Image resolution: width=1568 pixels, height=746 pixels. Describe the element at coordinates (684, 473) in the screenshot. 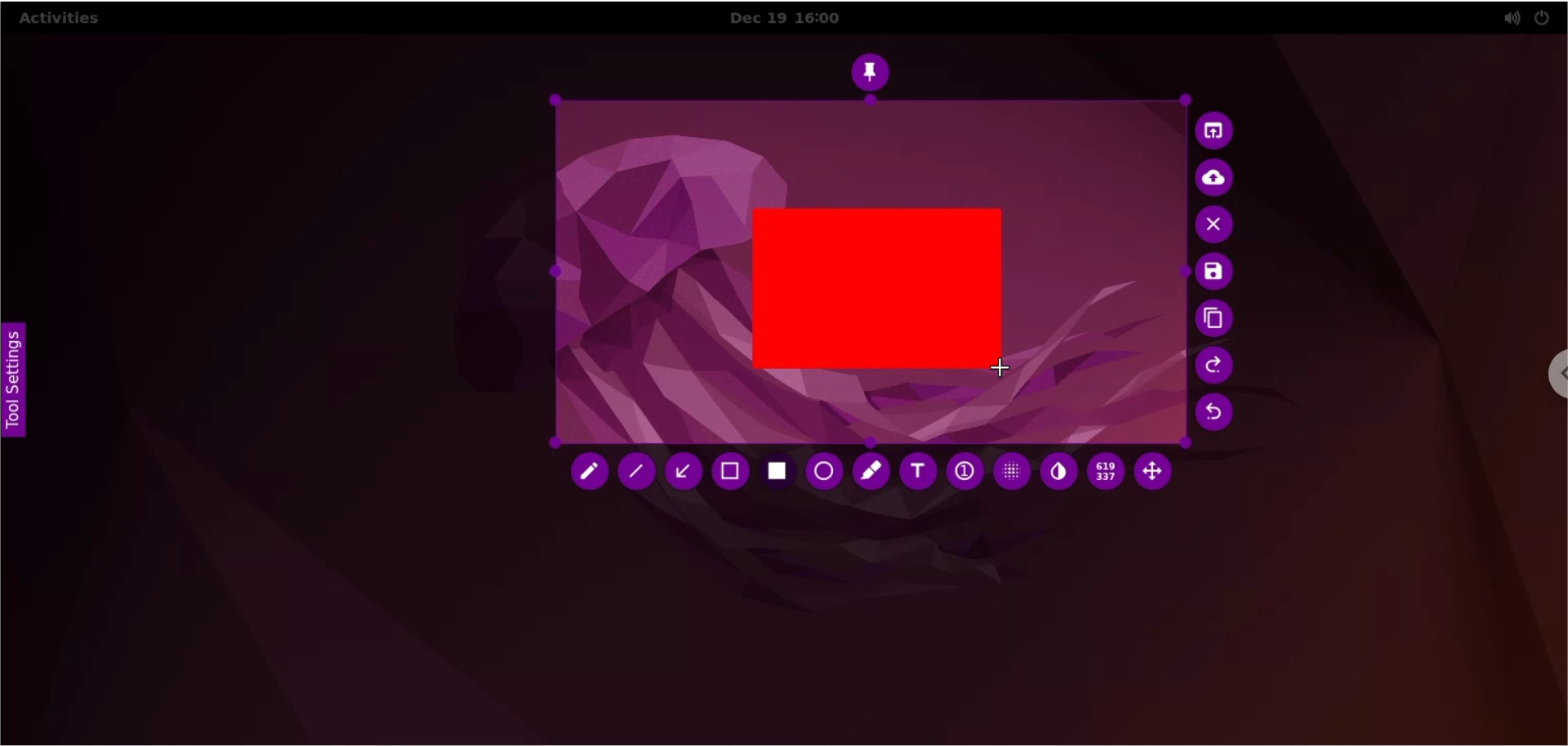

I see `arrow tool` at that location.